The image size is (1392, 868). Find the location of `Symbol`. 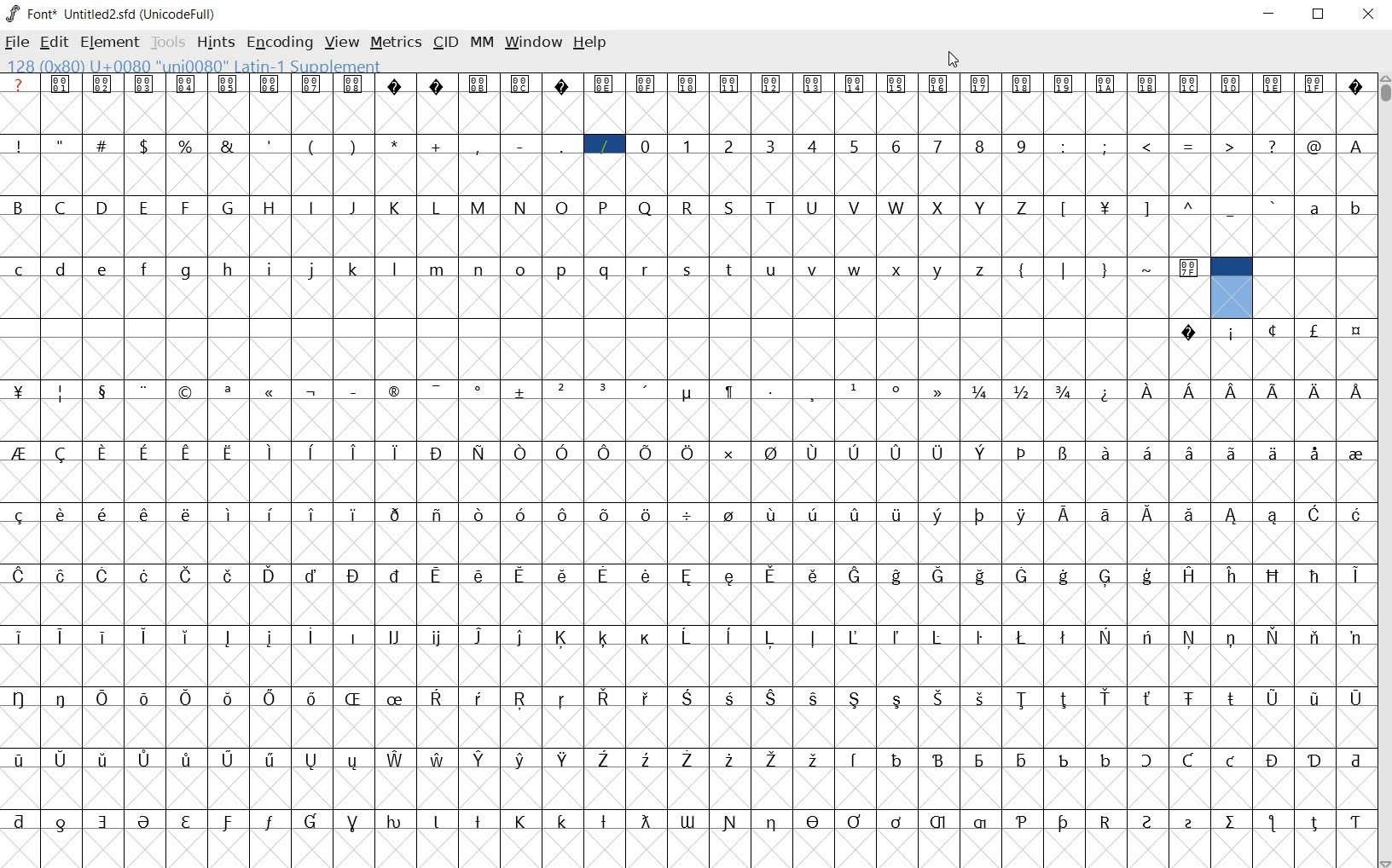

Symbol is located at coordinates (479, 638).